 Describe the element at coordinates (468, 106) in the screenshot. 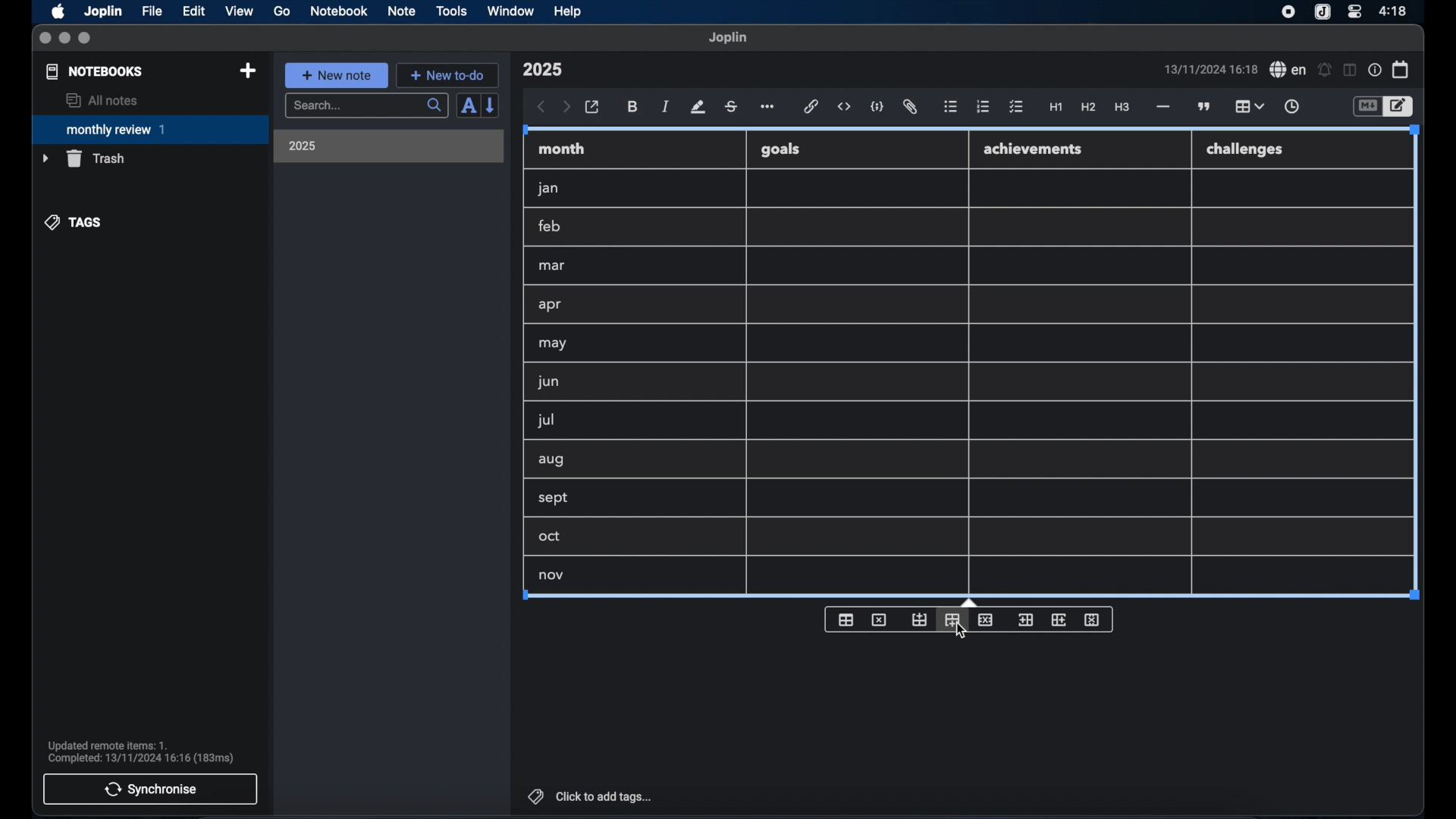

I see `sort order field` at that location.